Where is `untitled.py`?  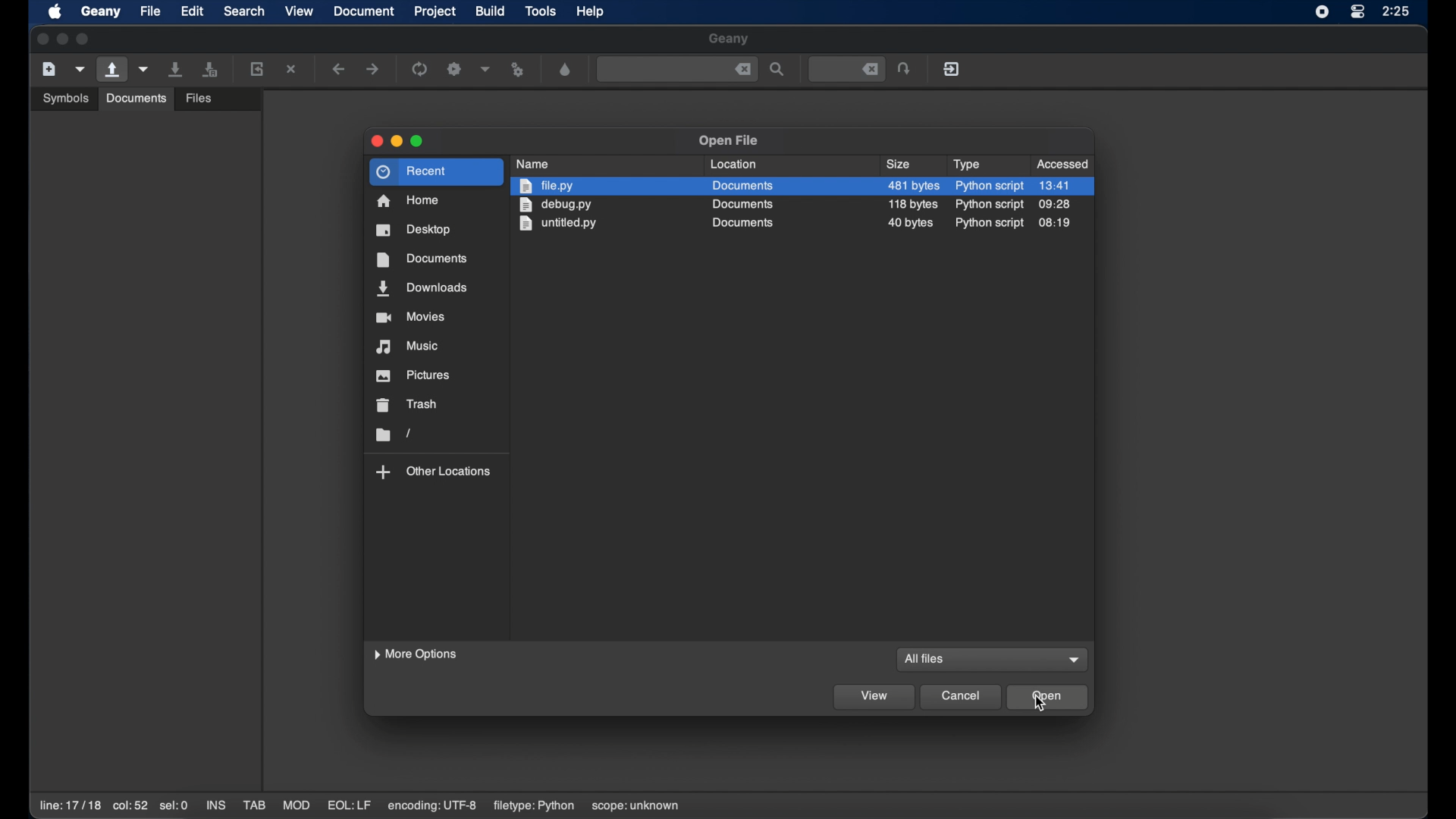
untitled.py is located at coordinates (558, 224).